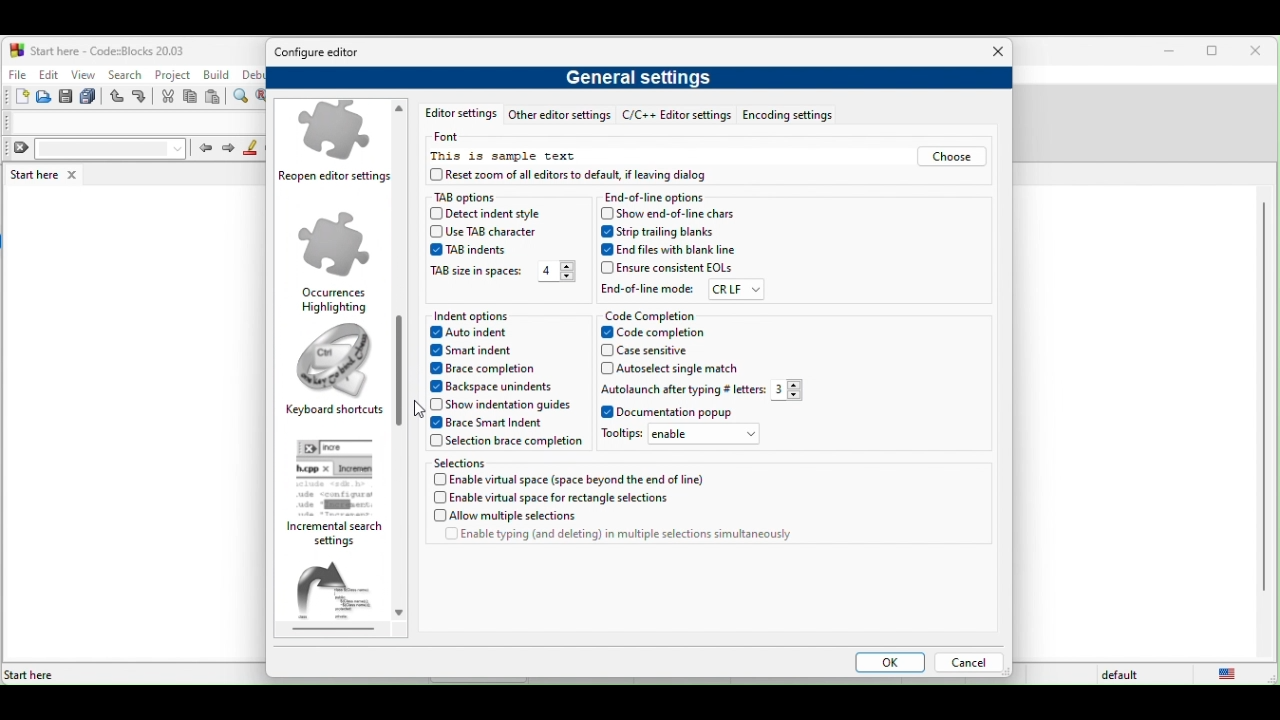 The image size is (1280, 720). Describe the element at coordinates (1170, 52) in the screenshot. I see `minimize` at that location.